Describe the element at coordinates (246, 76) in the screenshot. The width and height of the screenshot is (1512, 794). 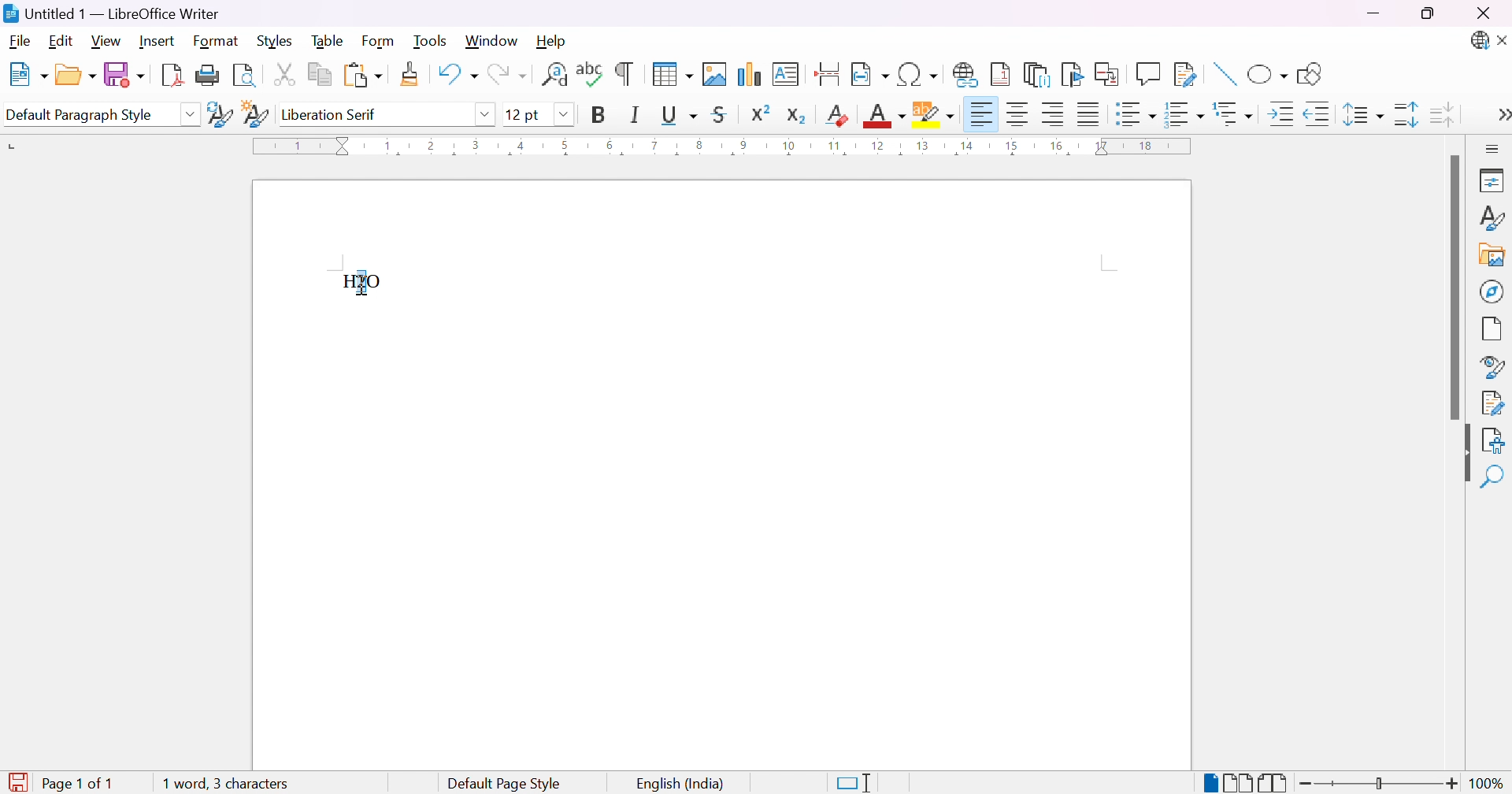
I see `Toggle print preview` at that location.